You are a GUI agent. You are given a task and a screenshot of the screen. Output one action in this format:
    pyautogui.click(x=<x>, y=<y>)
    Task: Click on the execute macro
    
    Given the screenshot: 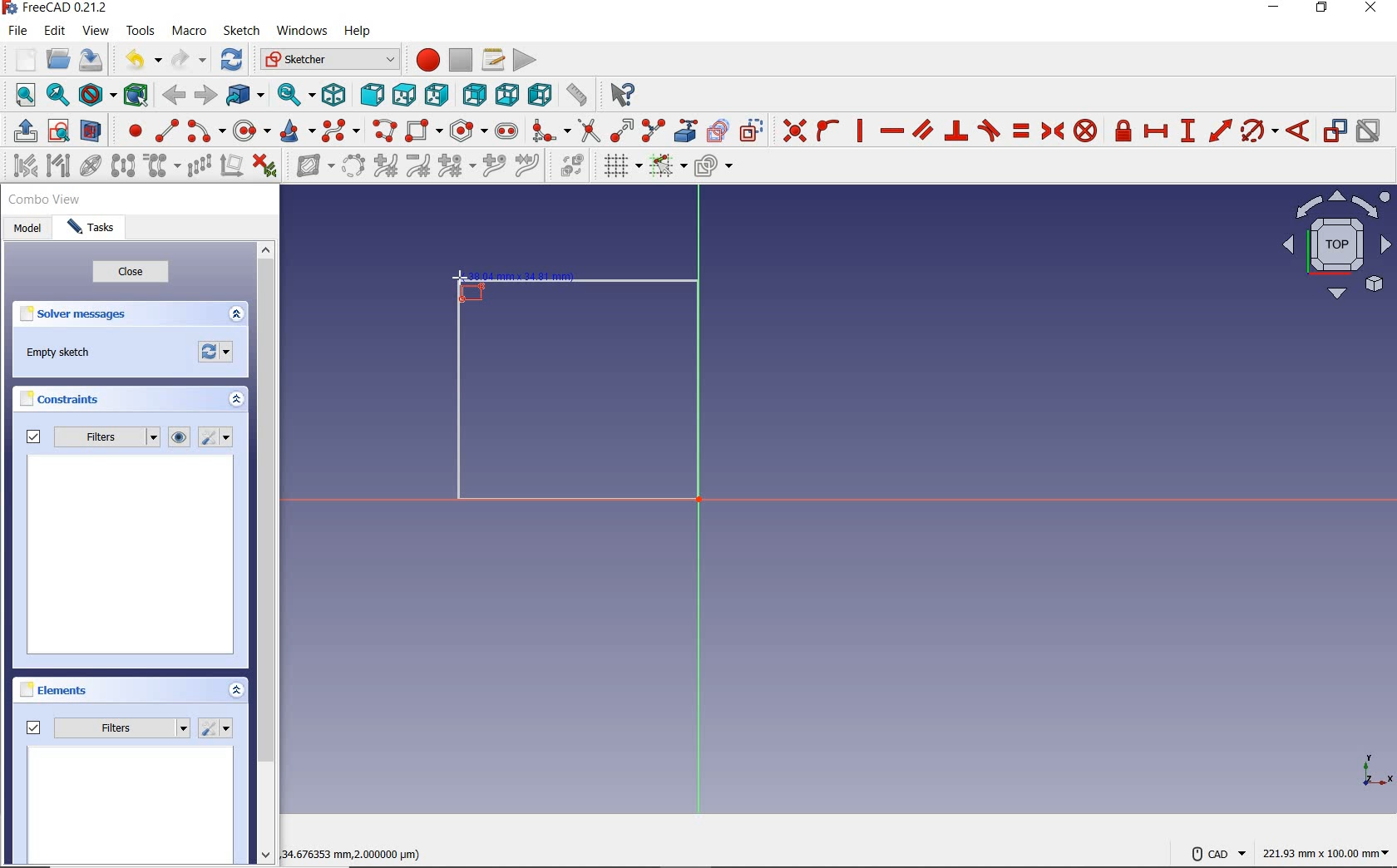 What is the action you would take?
    pyautogui.click(x=525, y=60)
    